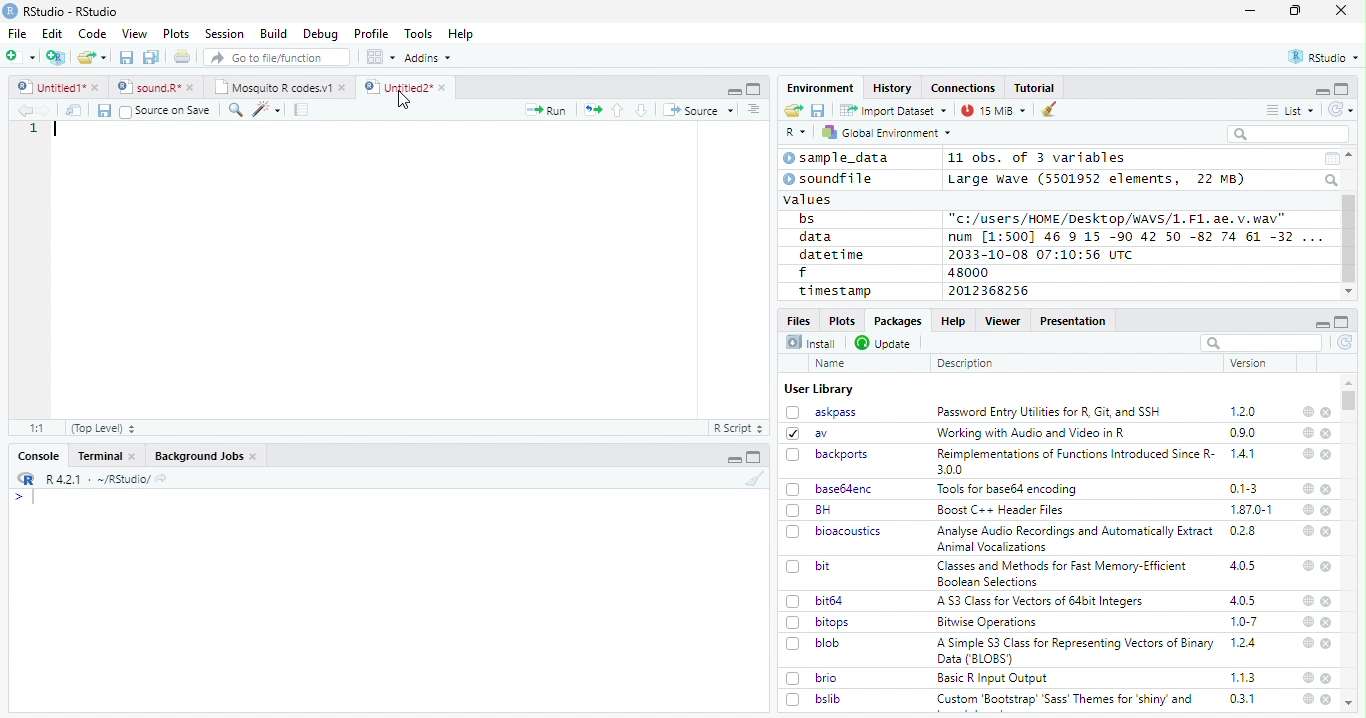  I want to click on num [1:500] 46 9 15 -90 42 50 -82 74 61 -32 ..., so click(1135, 236).